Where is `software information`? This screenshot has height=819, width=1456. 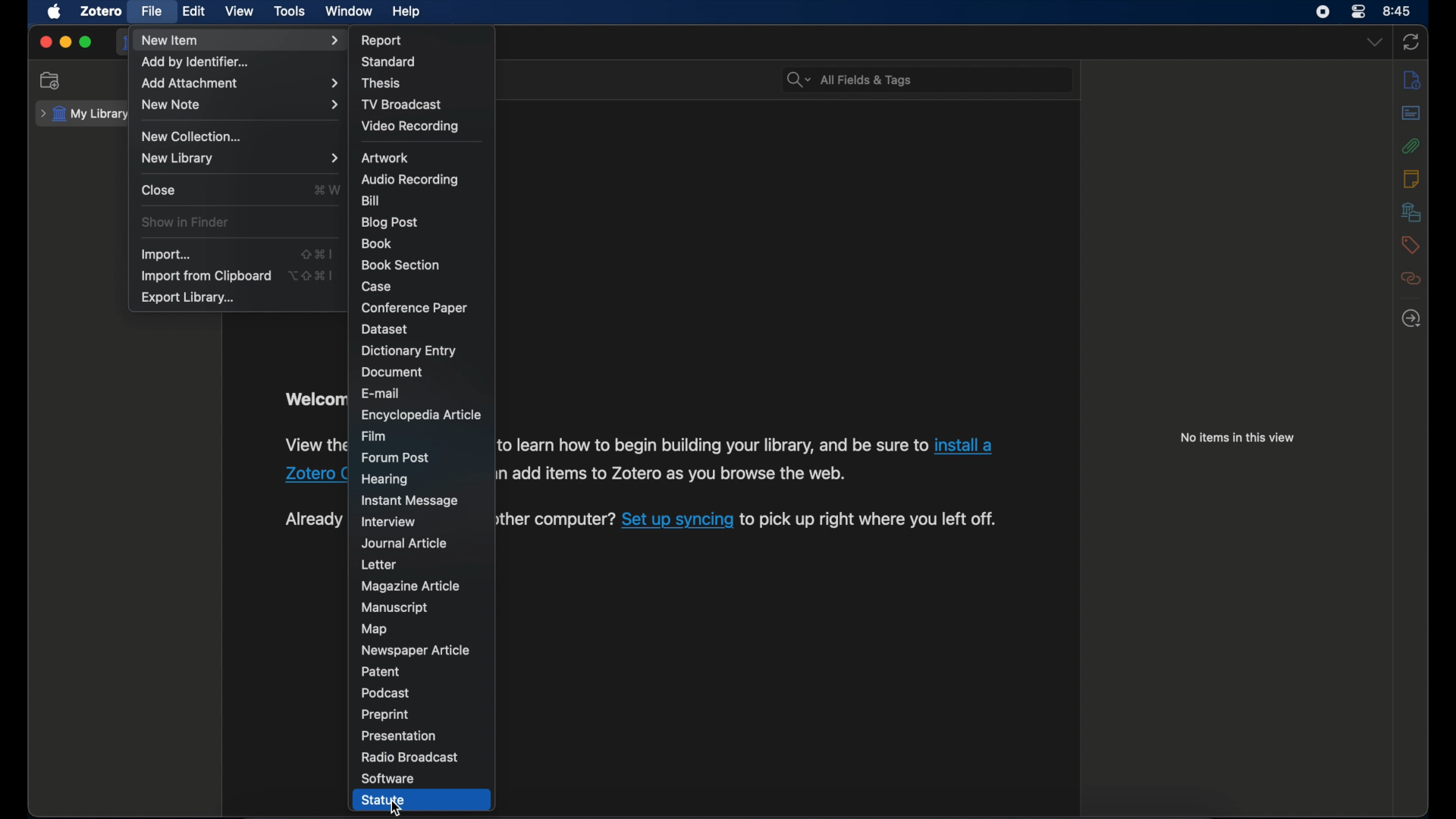
software information is located at coordinates (714, 444).